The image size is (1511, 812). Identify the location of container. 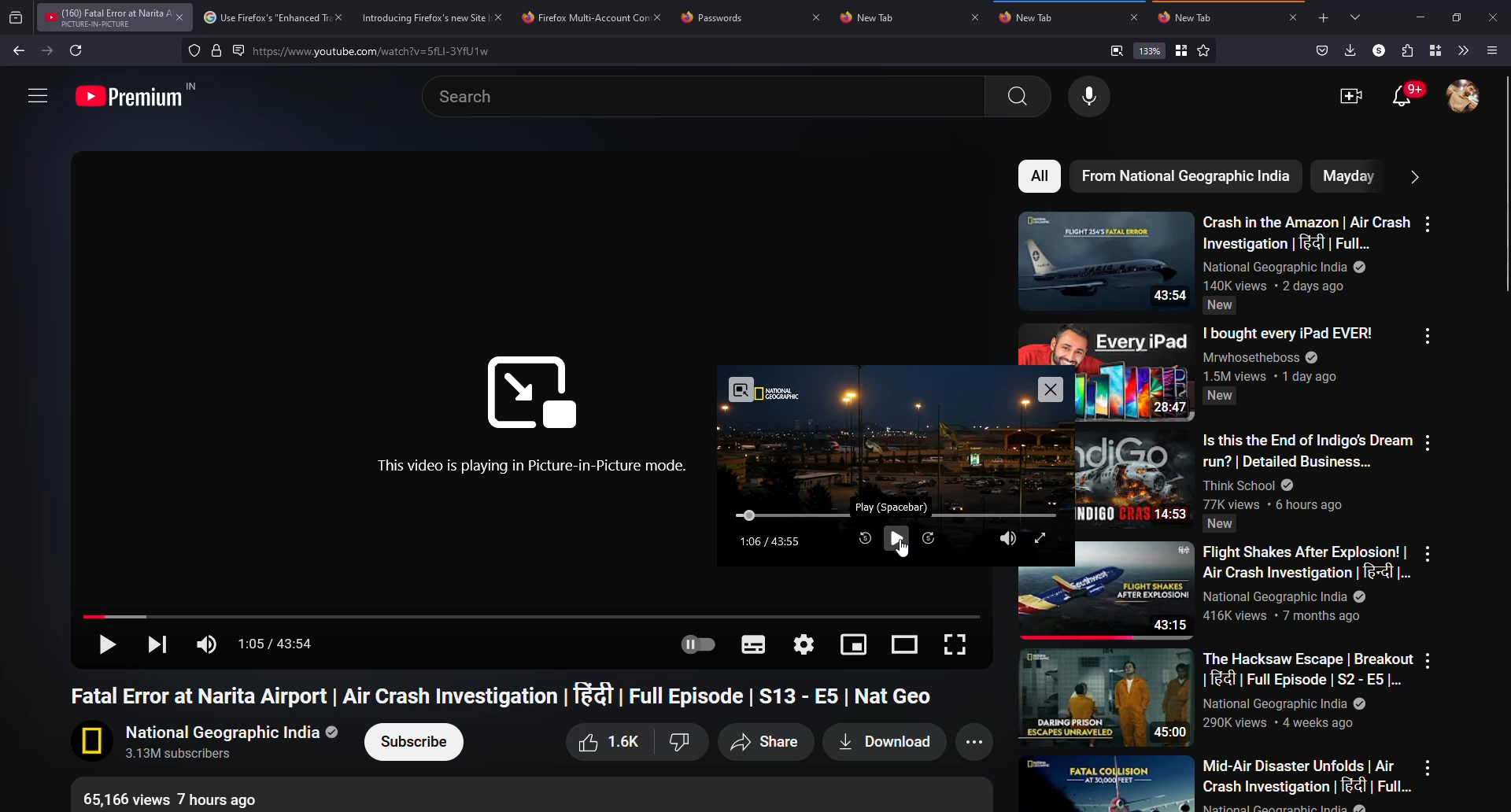
(1432, 50).